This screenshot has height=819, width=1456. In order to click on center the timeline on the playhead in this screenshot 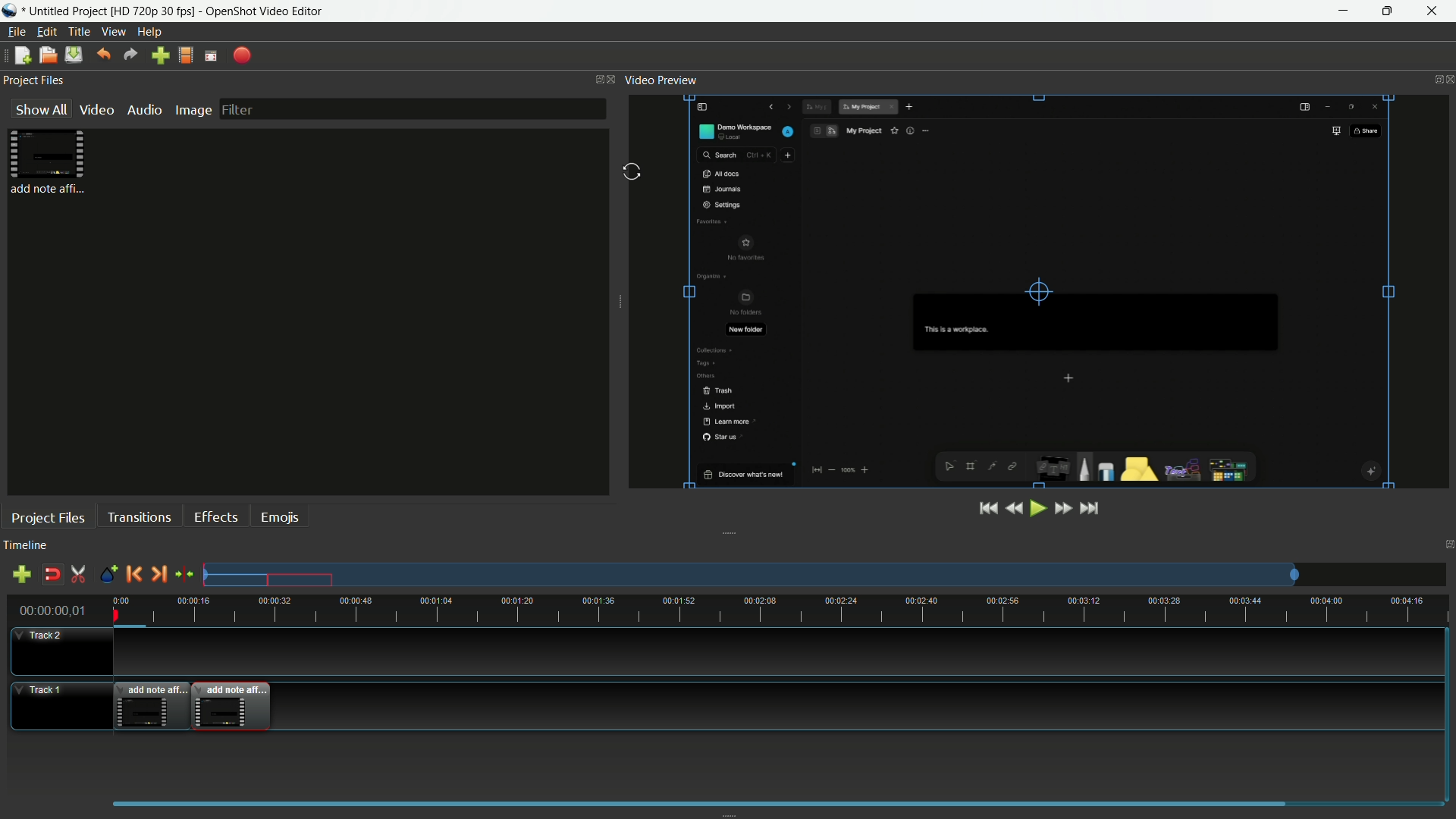, I will do `click(184, 573)`.